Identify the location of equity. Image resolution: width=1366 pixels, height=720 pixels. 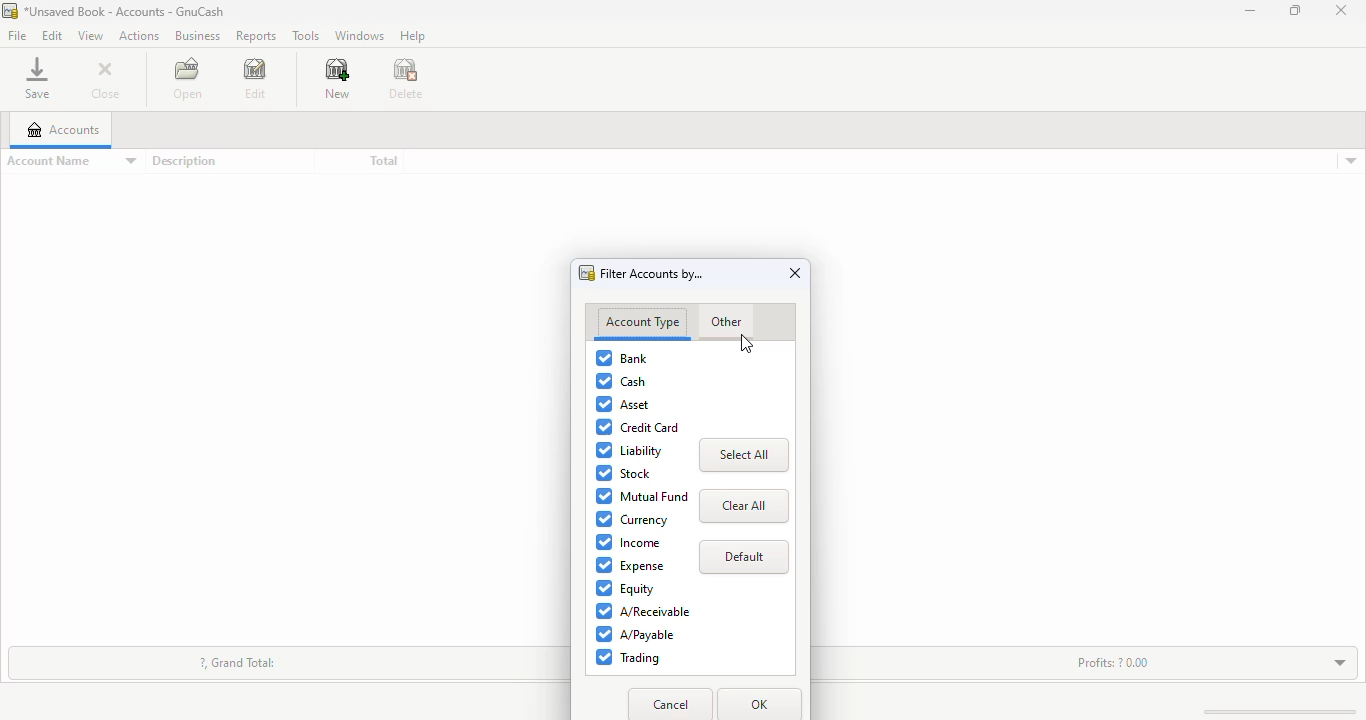
(625, 588).